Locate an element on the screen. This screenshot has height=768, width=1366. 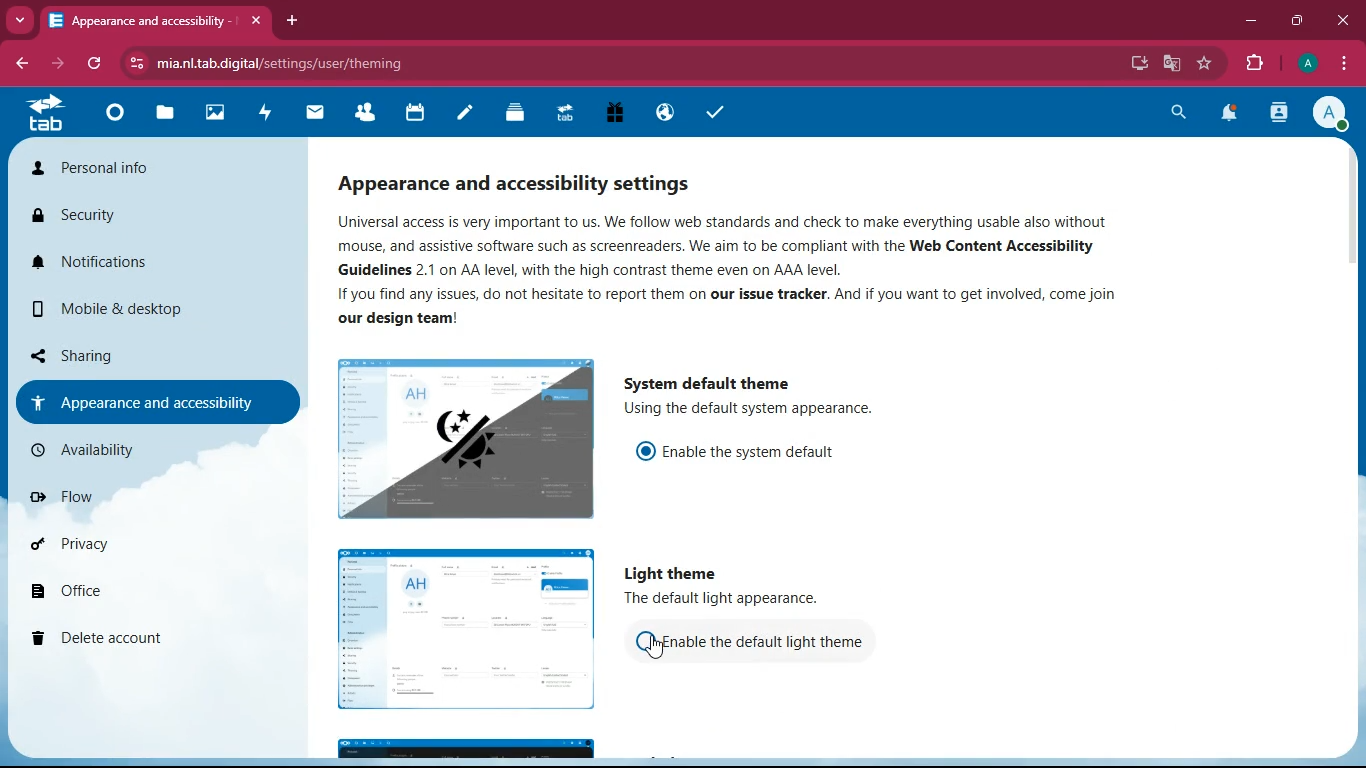
tab is located at coordinates (564, 114).